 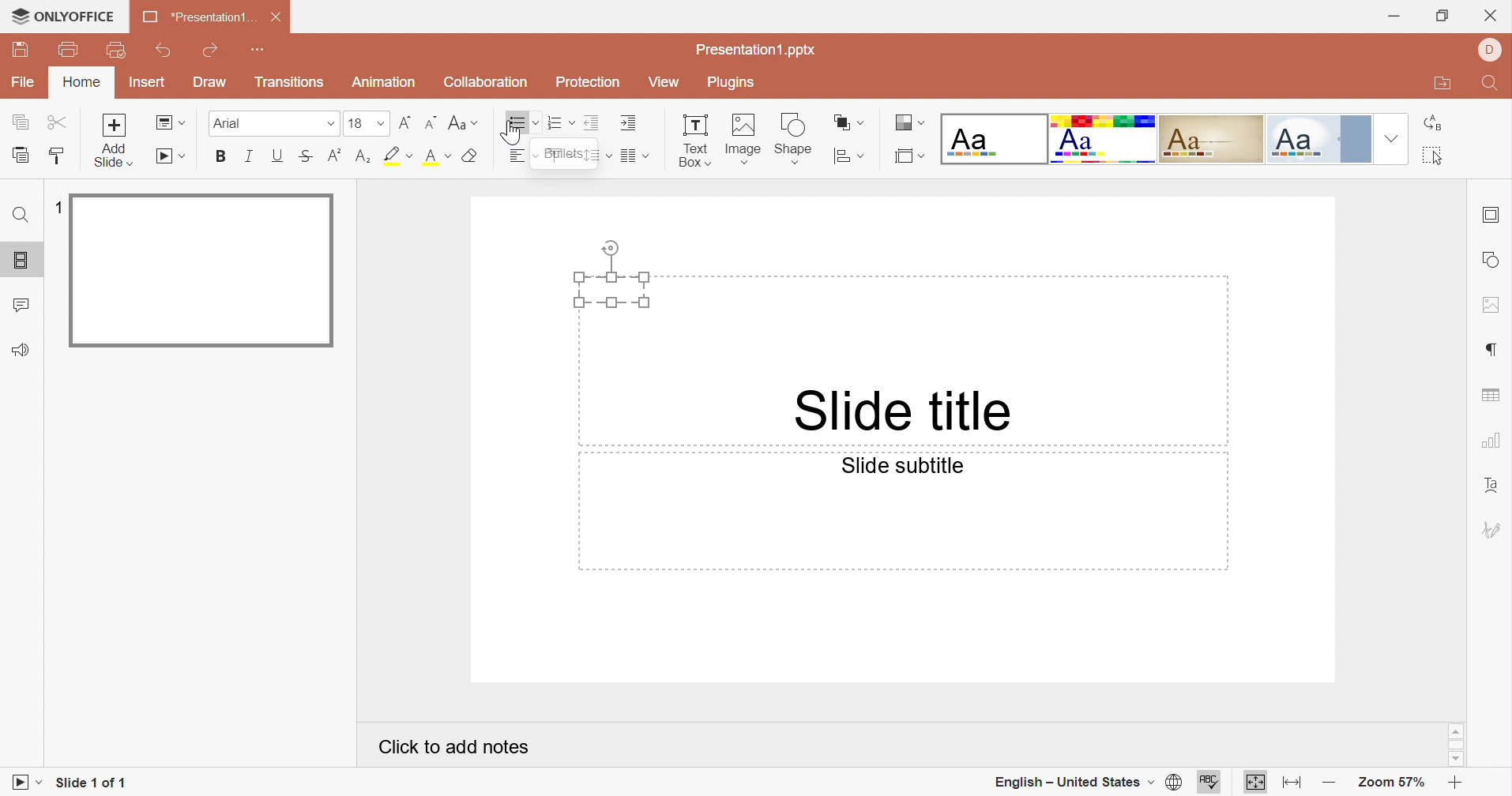 What do you see at coordinates (565, 156) in the screenshot?
I see `Bullets` at bounding box center [565, 156].